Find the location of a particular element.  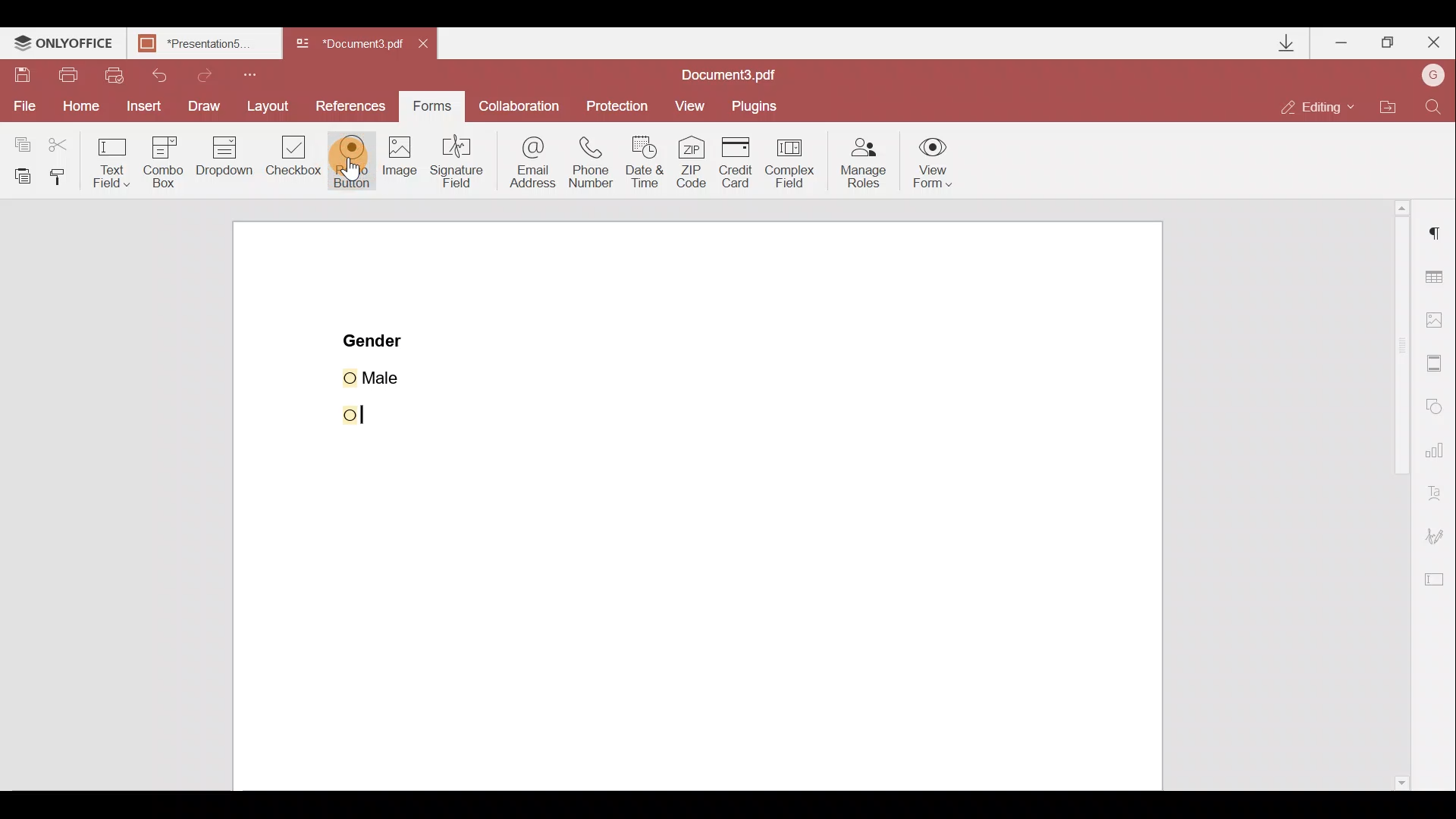

View form is located at coordinates (934, 162).